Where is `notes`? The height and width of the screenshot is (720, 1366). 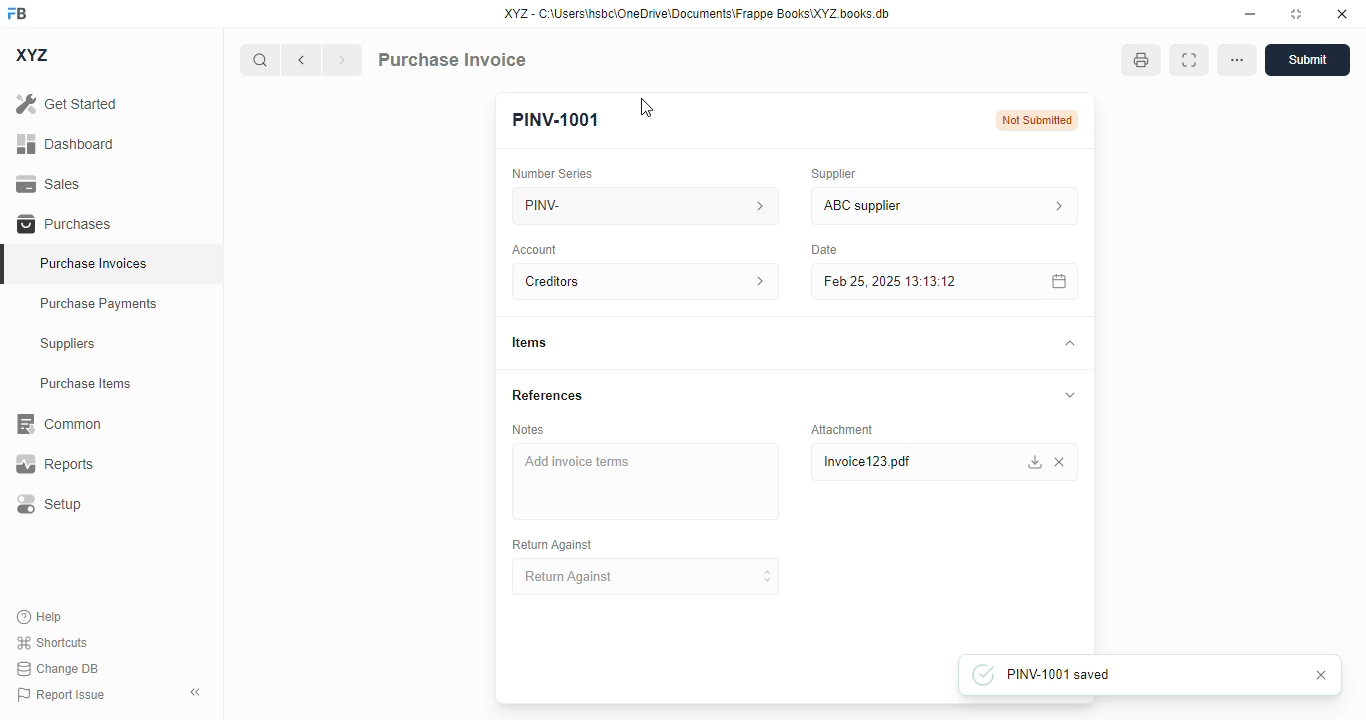
notes is located at coordinates (528, 429).